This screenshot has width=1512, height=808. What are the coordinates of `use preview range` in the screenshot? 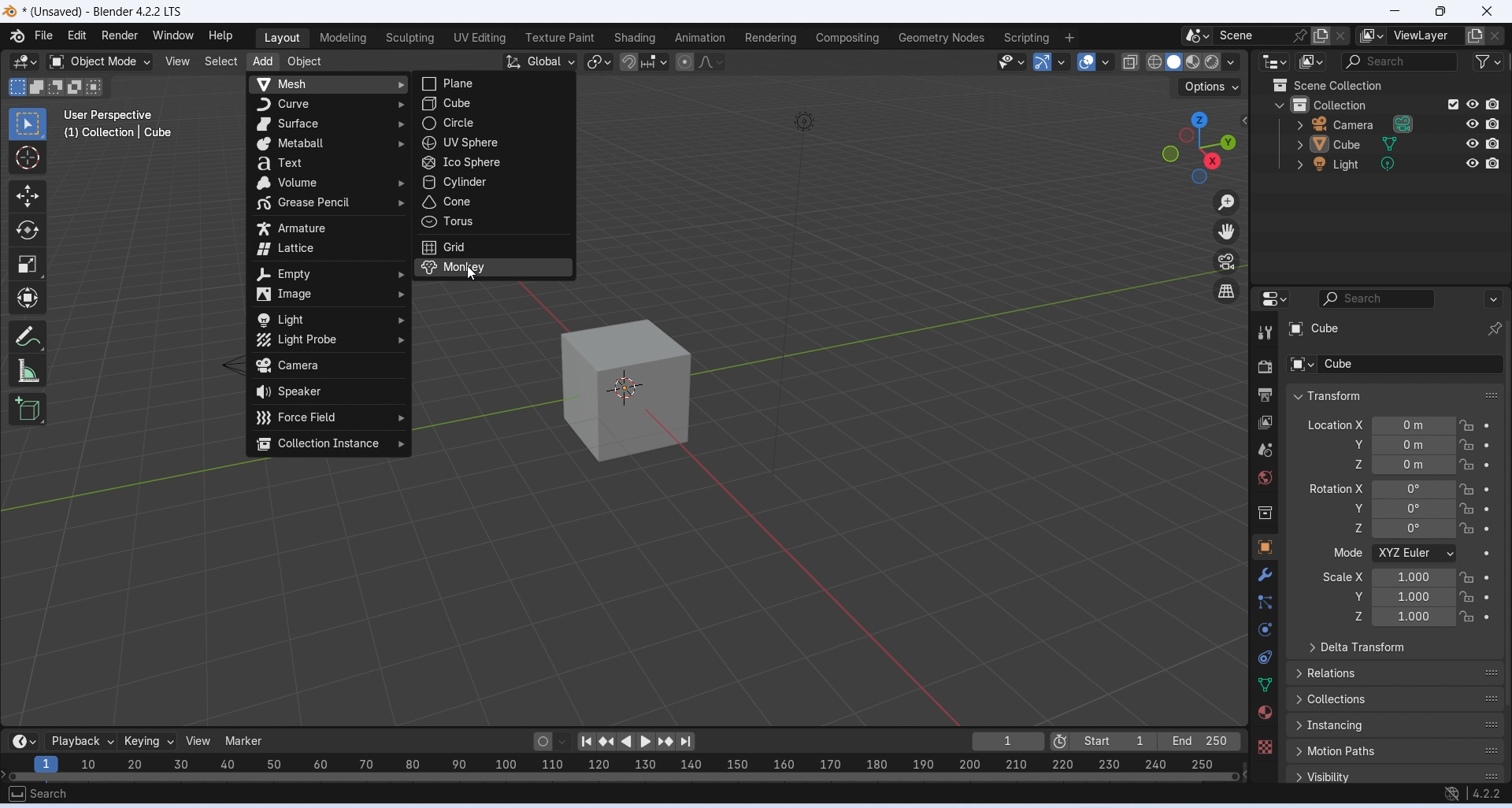 It's located at (1059, 743).